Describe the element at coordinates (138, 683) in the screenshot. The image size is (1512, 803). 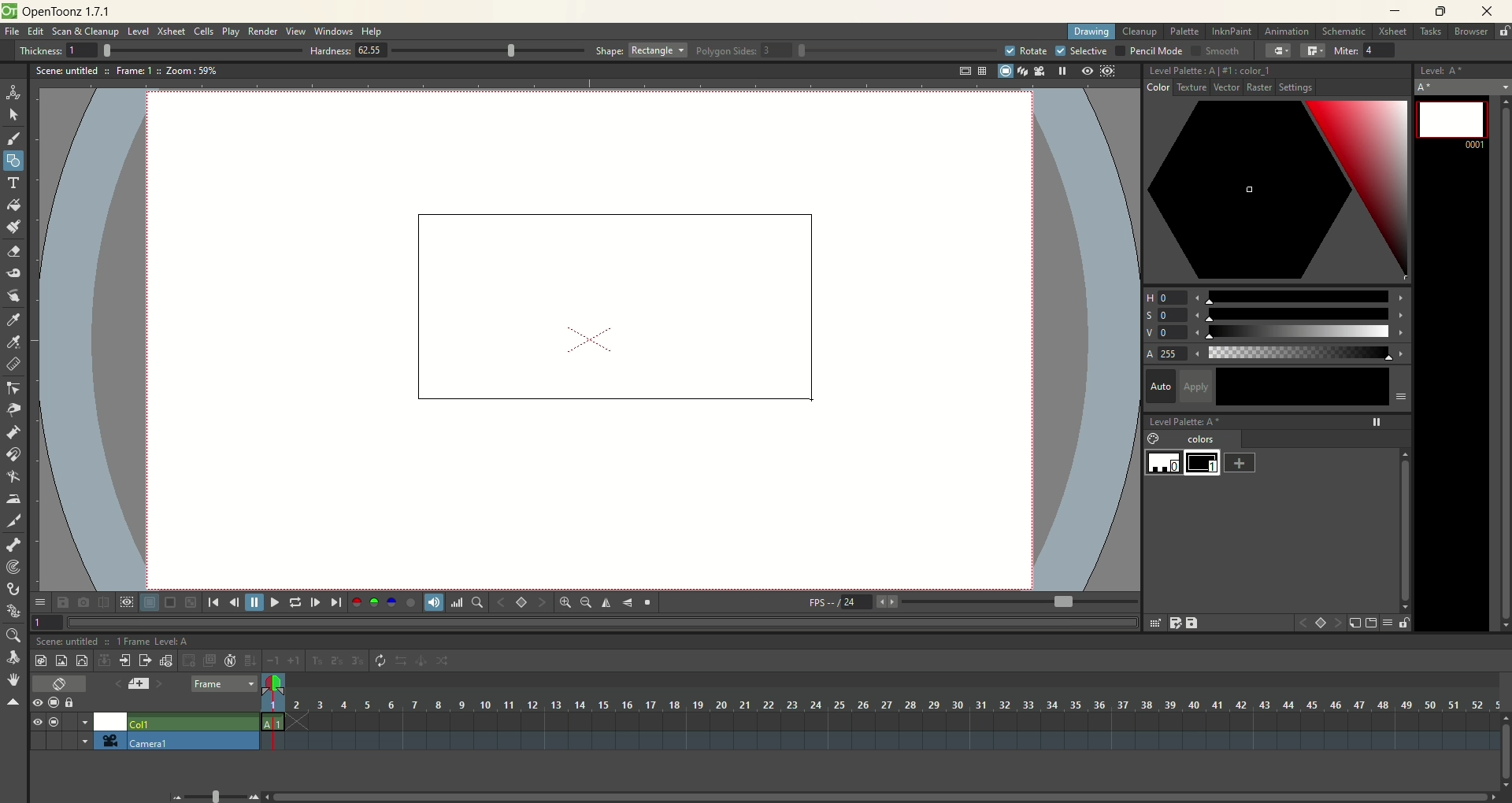
I see `add new memo` at that location.